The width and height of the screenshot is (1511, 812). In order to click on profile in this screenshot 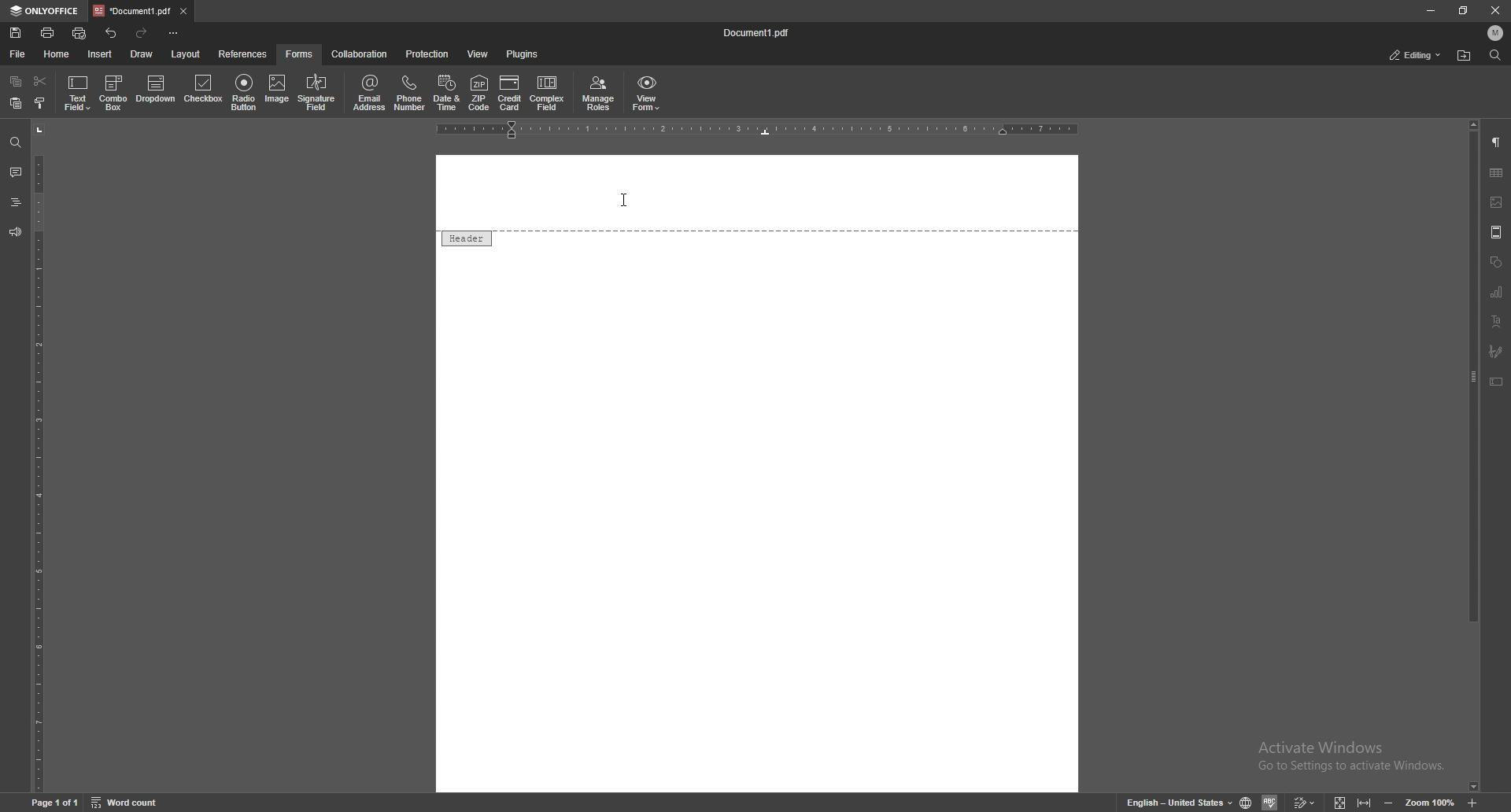, I will do `click(1495, 32)`.